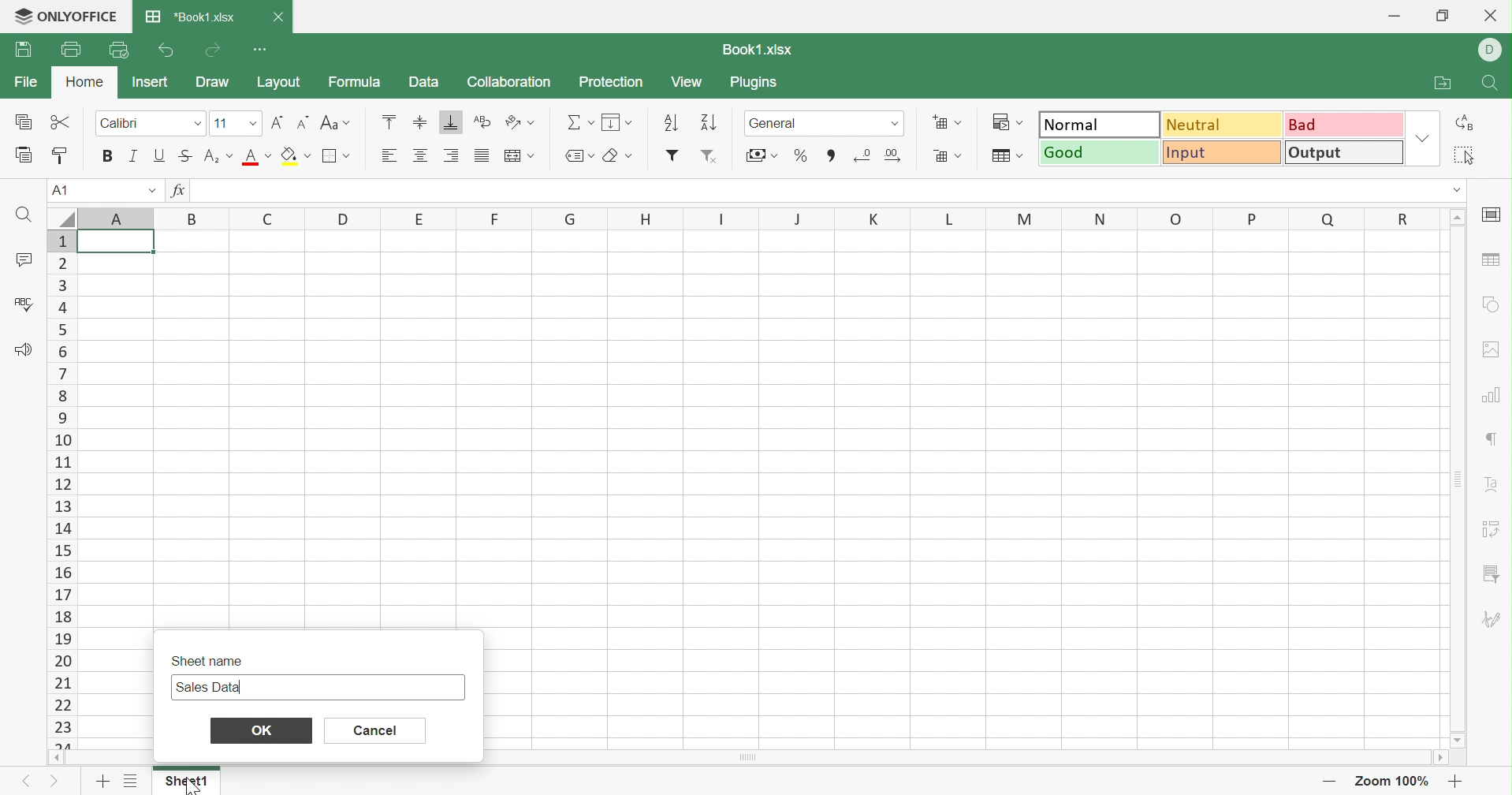 This screenshot has height=795, width=1512. What do you see at coordinates (757, 48) in the screenshot?
I see `Book1.xlsx` at bounding box center [757, 48].